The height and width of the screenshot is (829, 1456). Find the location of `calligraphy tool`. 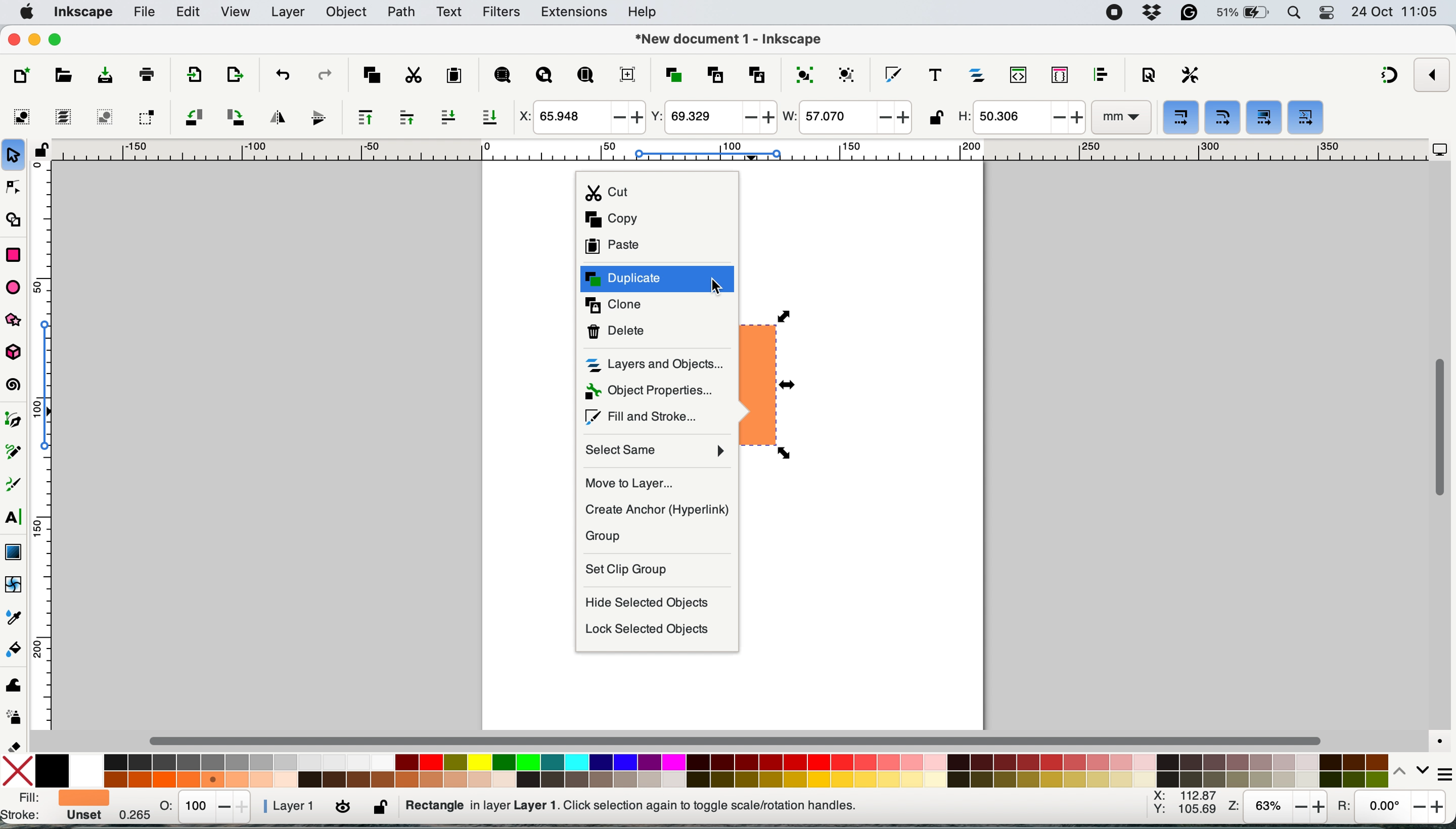

calligraphy tool is located at coordinates (15, 485).